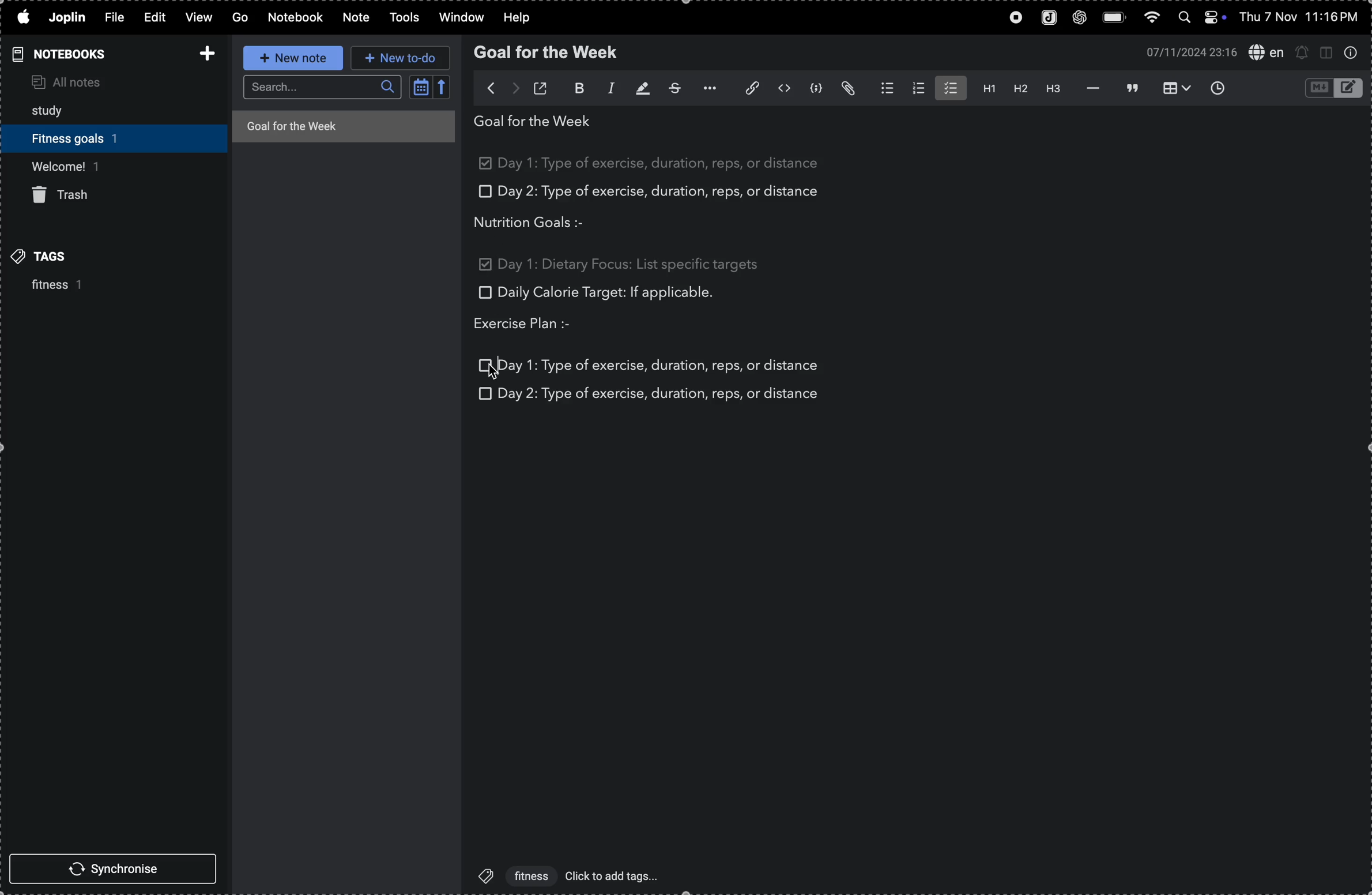  I want to click on goal for the week, so click(342, 125).